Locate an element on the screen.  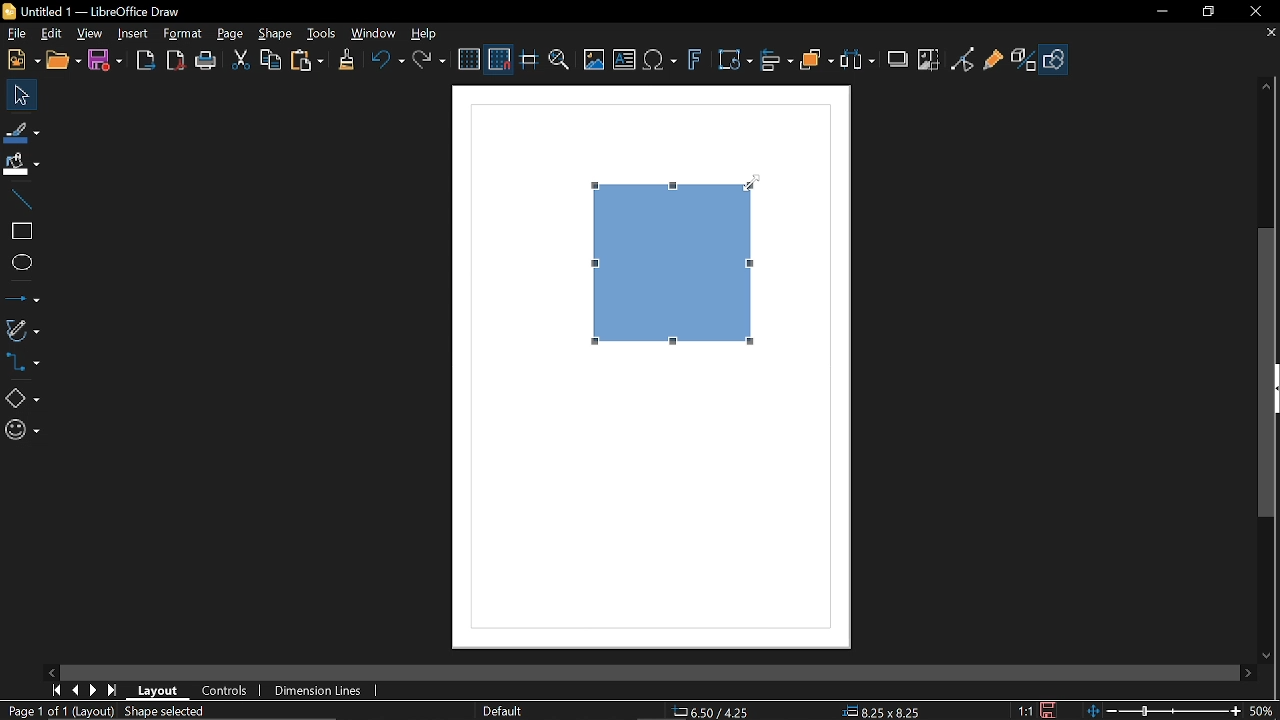
undo is located at coordinates (388, 60).